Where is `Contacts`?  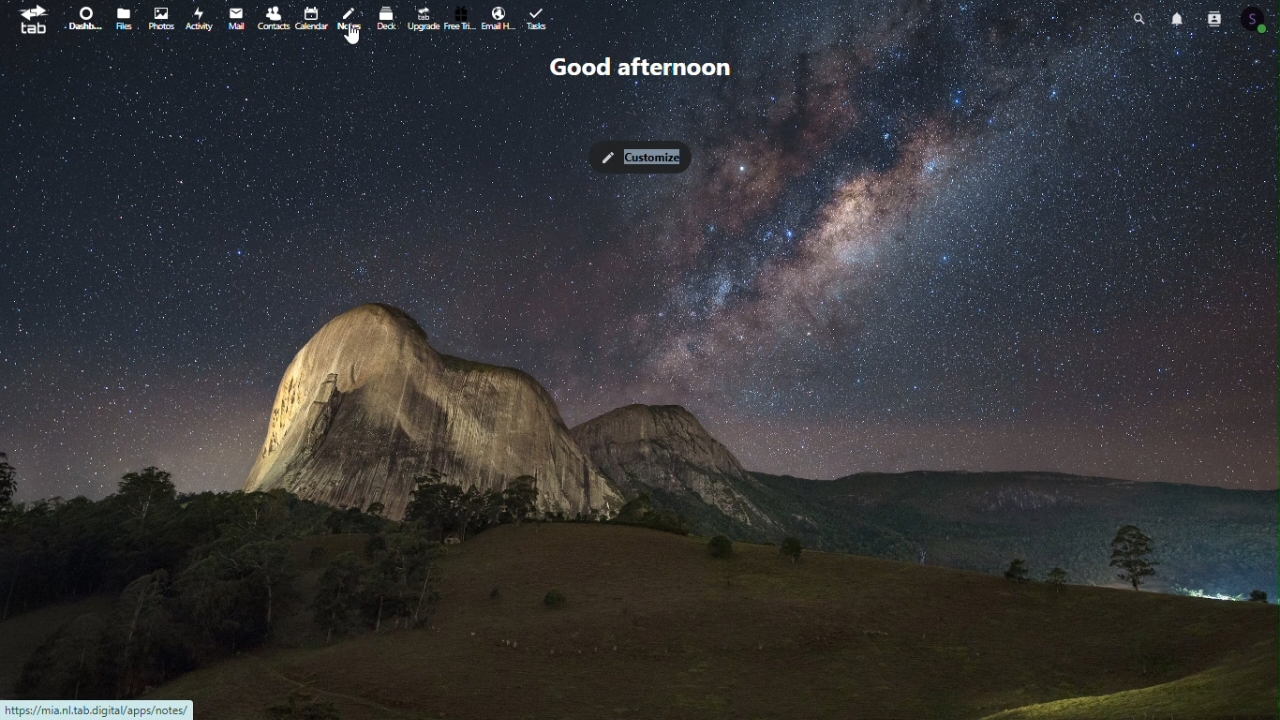 Contacts is located at coordinates (307, 16).